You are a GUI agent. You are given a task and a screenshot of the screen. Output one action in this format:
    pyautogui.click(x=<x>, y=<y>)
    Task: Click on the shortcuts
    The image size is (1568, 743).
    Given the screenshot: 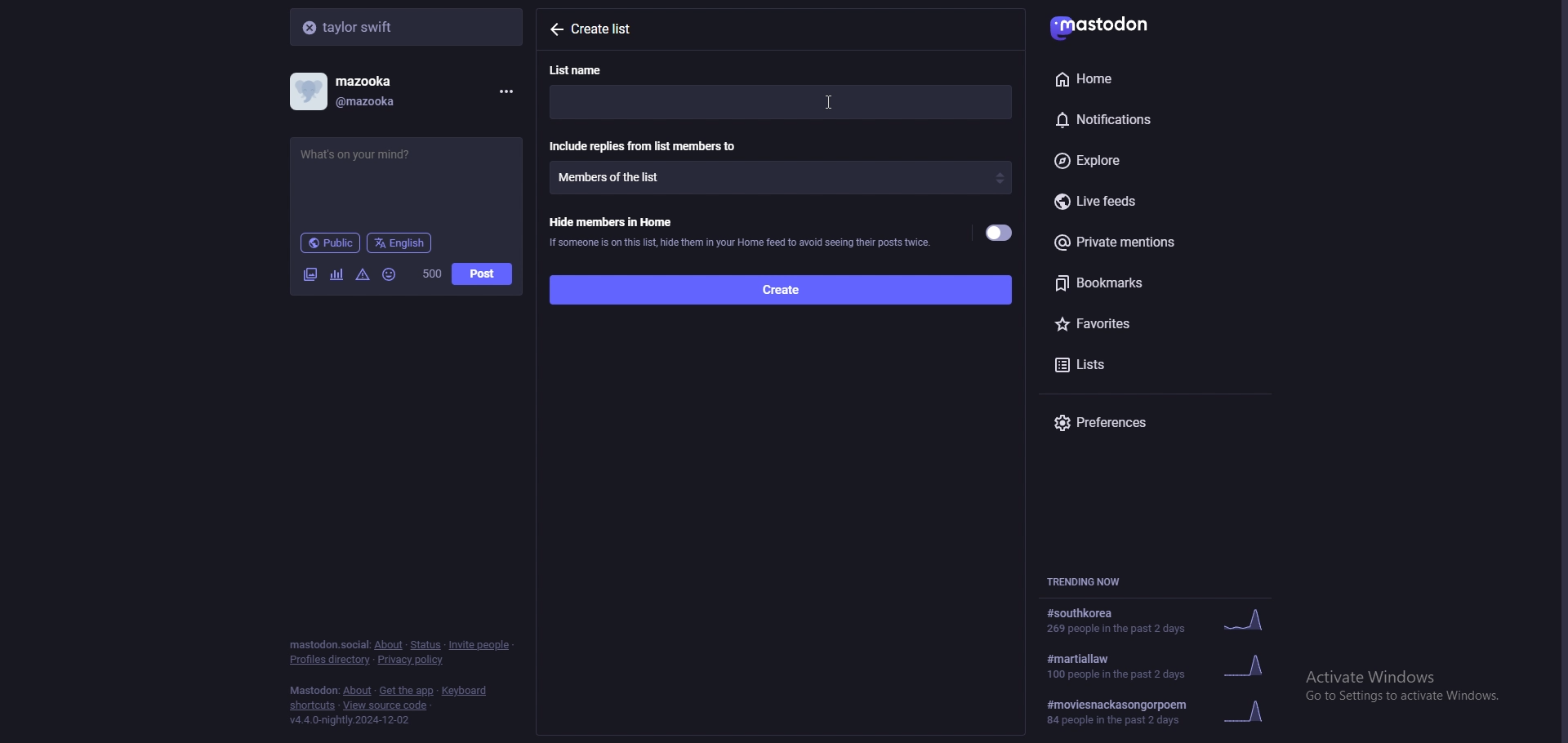 What is the action you would take?
    pyautogui.click(x=313, y=707)
    